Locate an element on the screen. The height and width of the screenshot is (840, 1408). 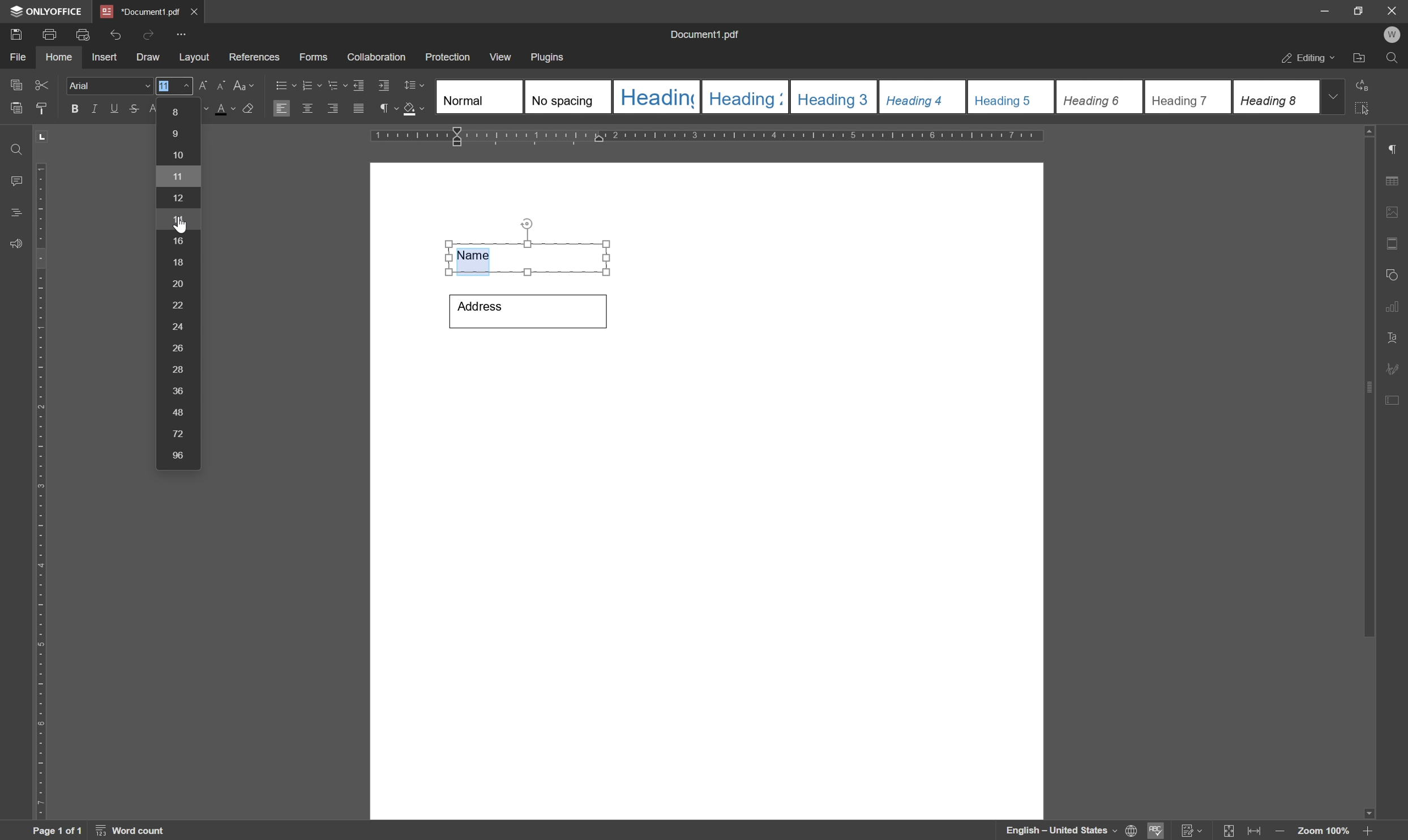
strikethrough is located at coordinates (133, 110).